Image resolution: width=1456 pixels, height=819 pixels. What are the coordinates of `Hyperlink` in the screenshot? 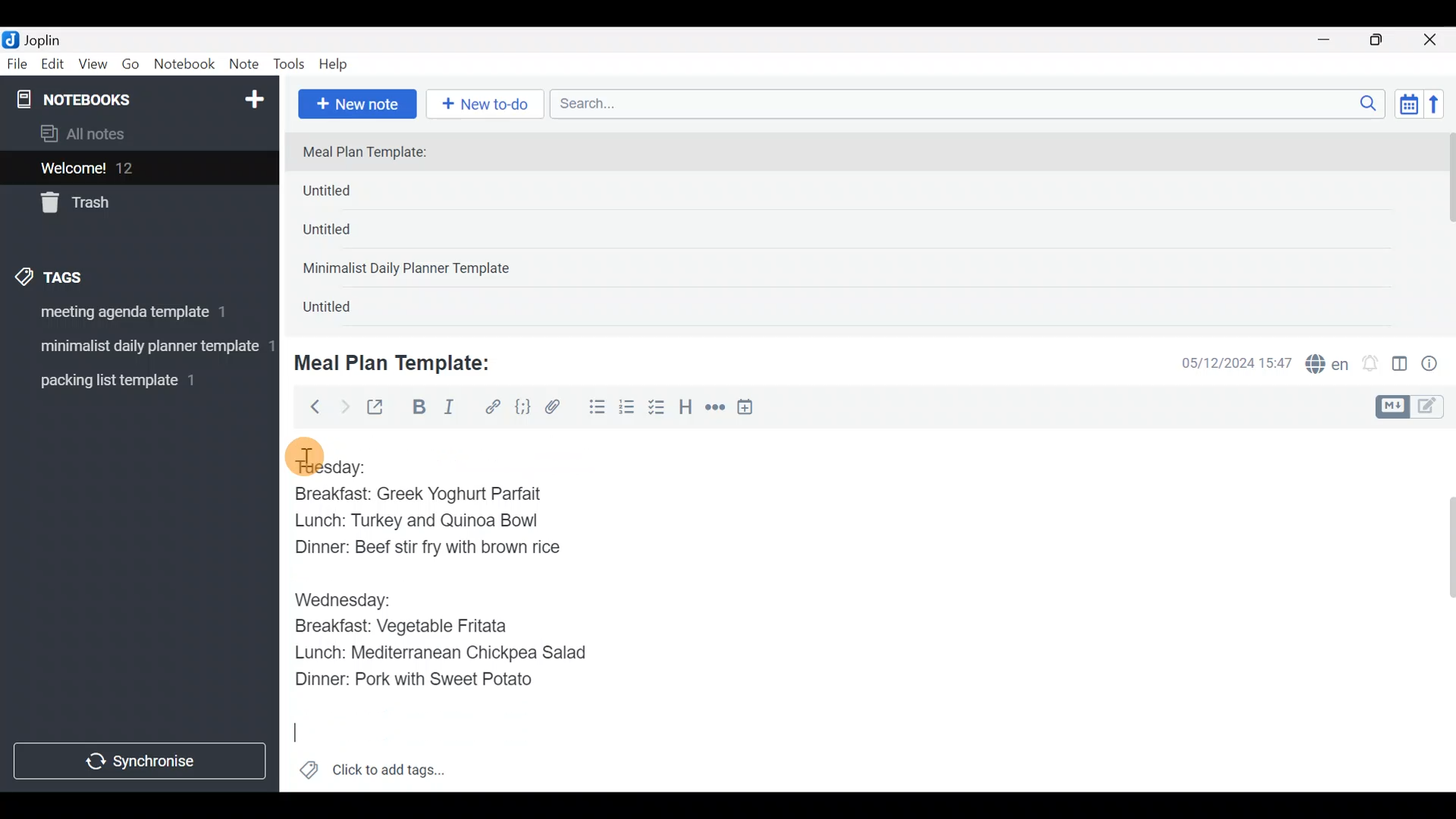 It's located at (493, 407).